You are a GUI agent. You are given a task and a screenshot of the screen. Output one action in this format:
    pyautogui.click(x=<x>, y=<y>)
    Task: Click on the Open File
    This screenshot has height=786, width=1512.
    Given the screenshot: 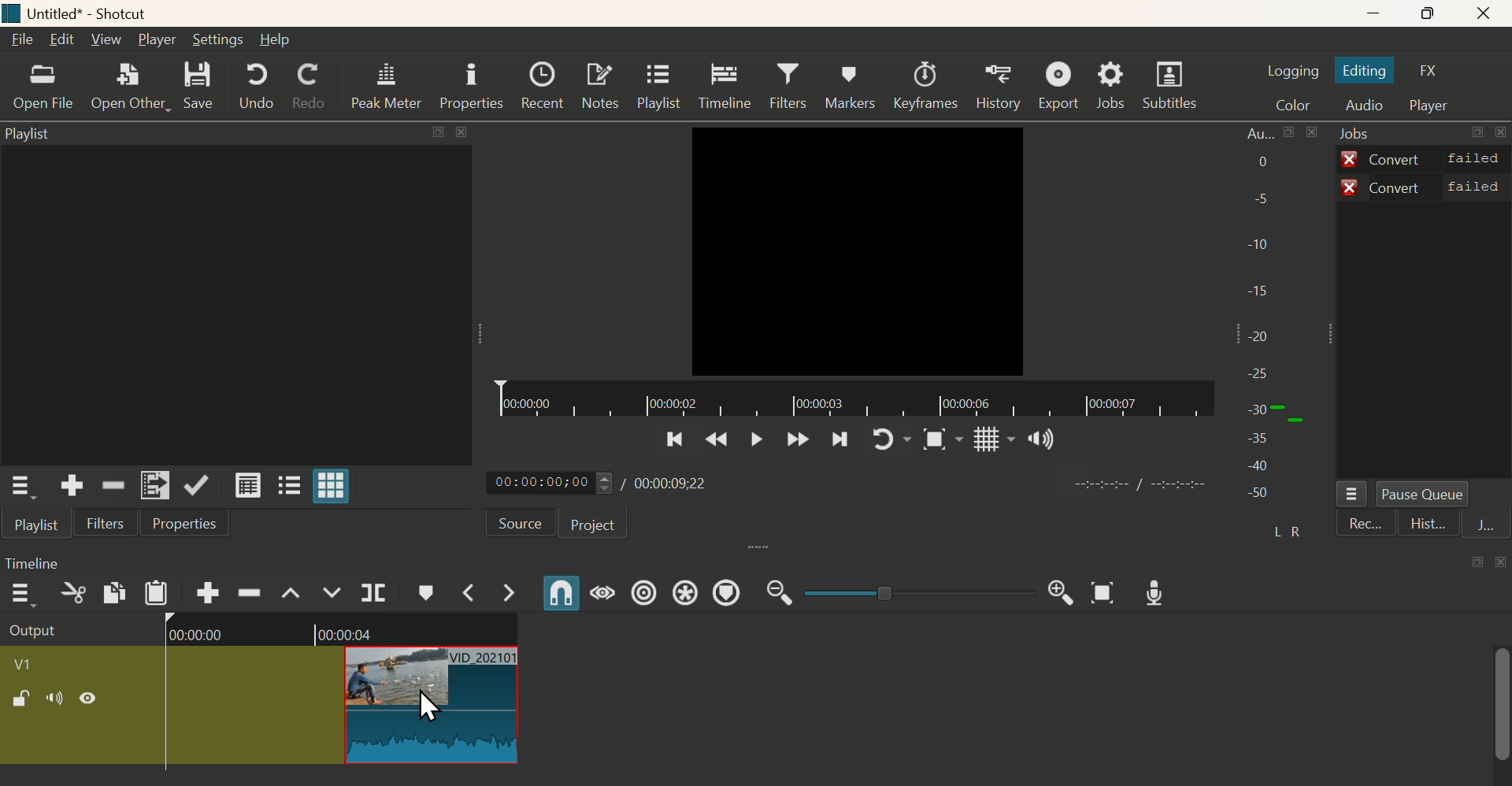 What is the action you would take?
    pyautogui.click(x=41, y=91)
    